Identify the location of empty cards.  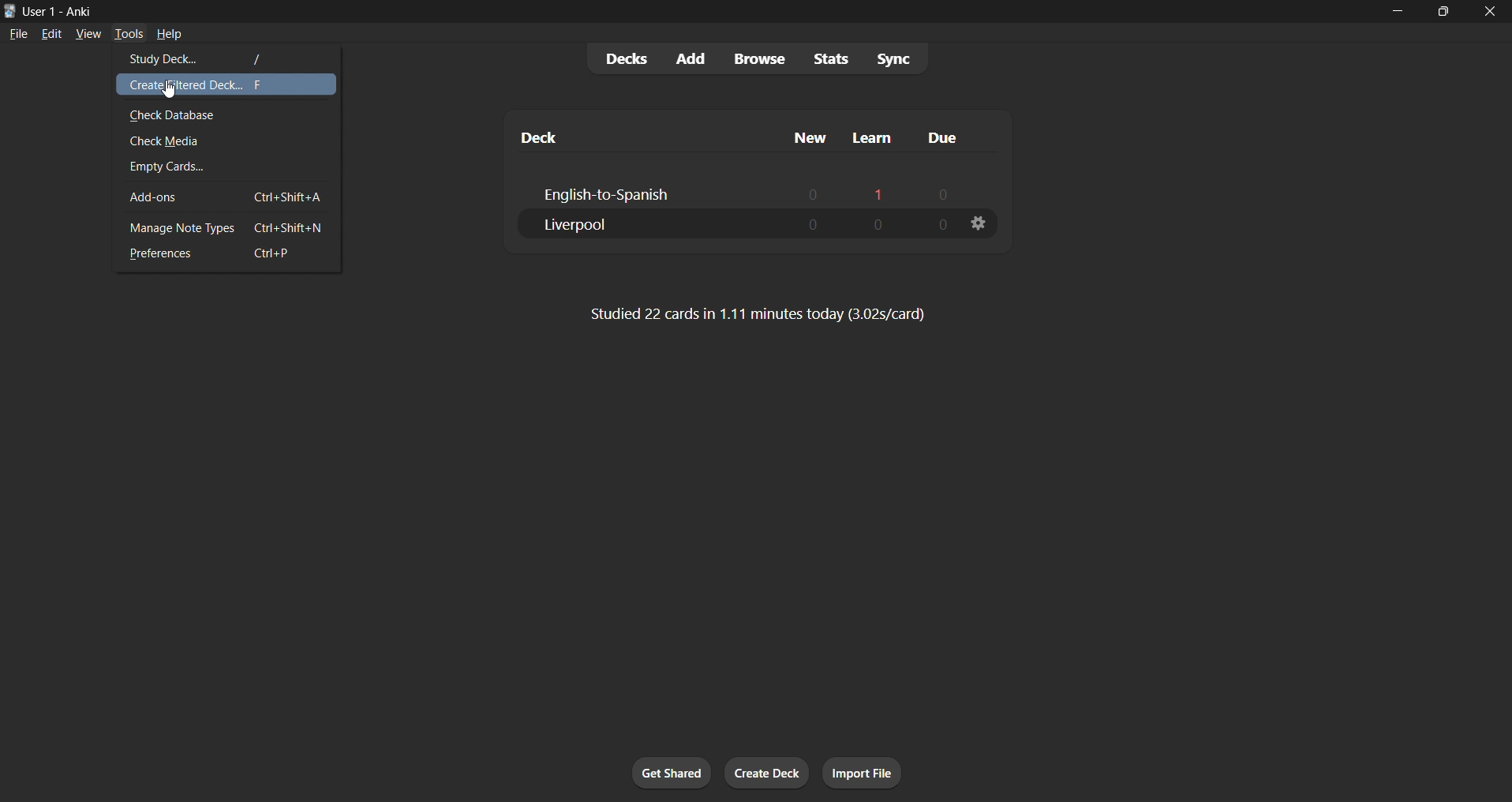
(227, 167).